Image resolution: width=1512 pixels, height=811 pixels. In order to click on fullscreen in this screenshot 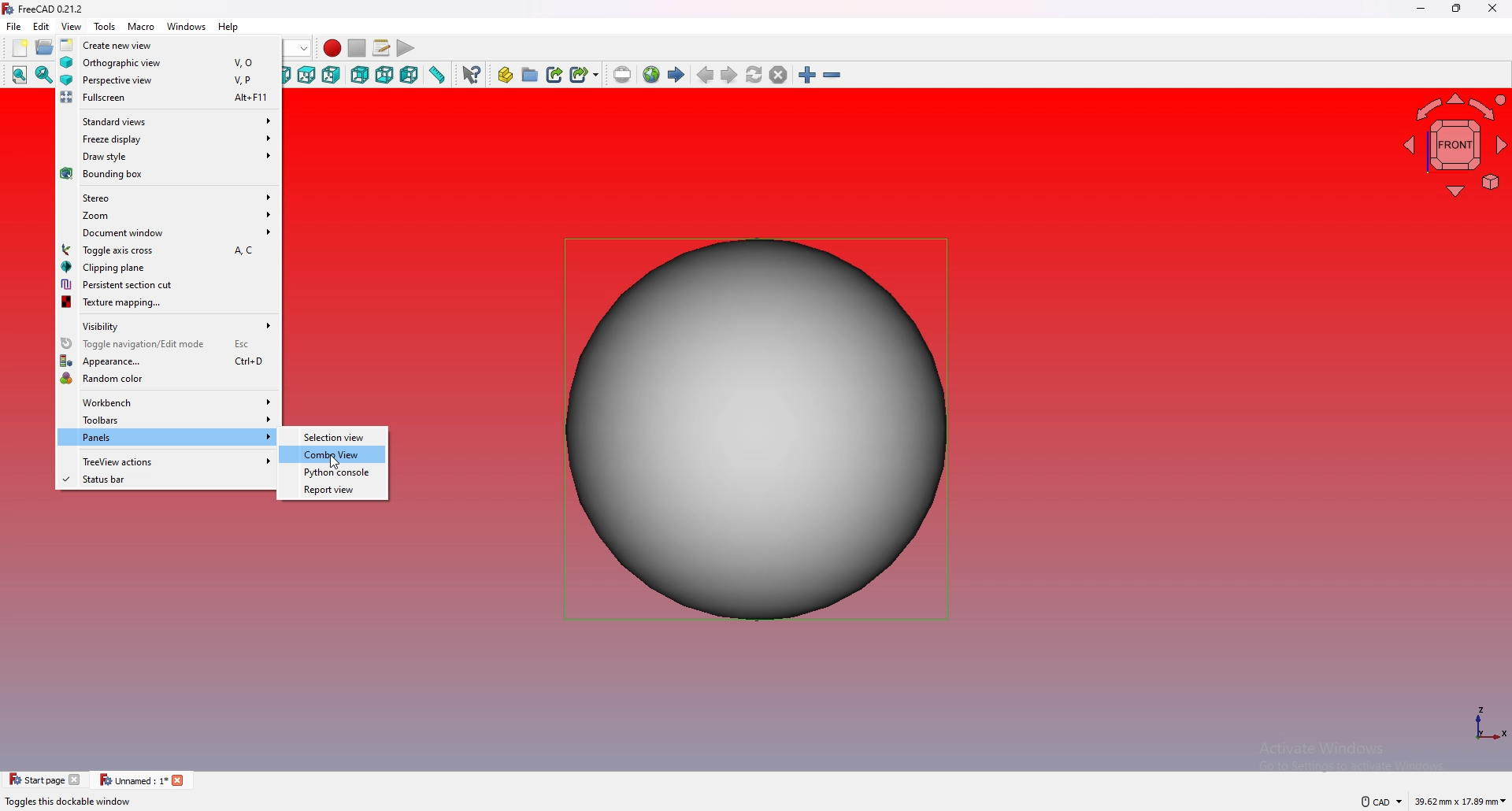, I will do `click(167, 98)`.